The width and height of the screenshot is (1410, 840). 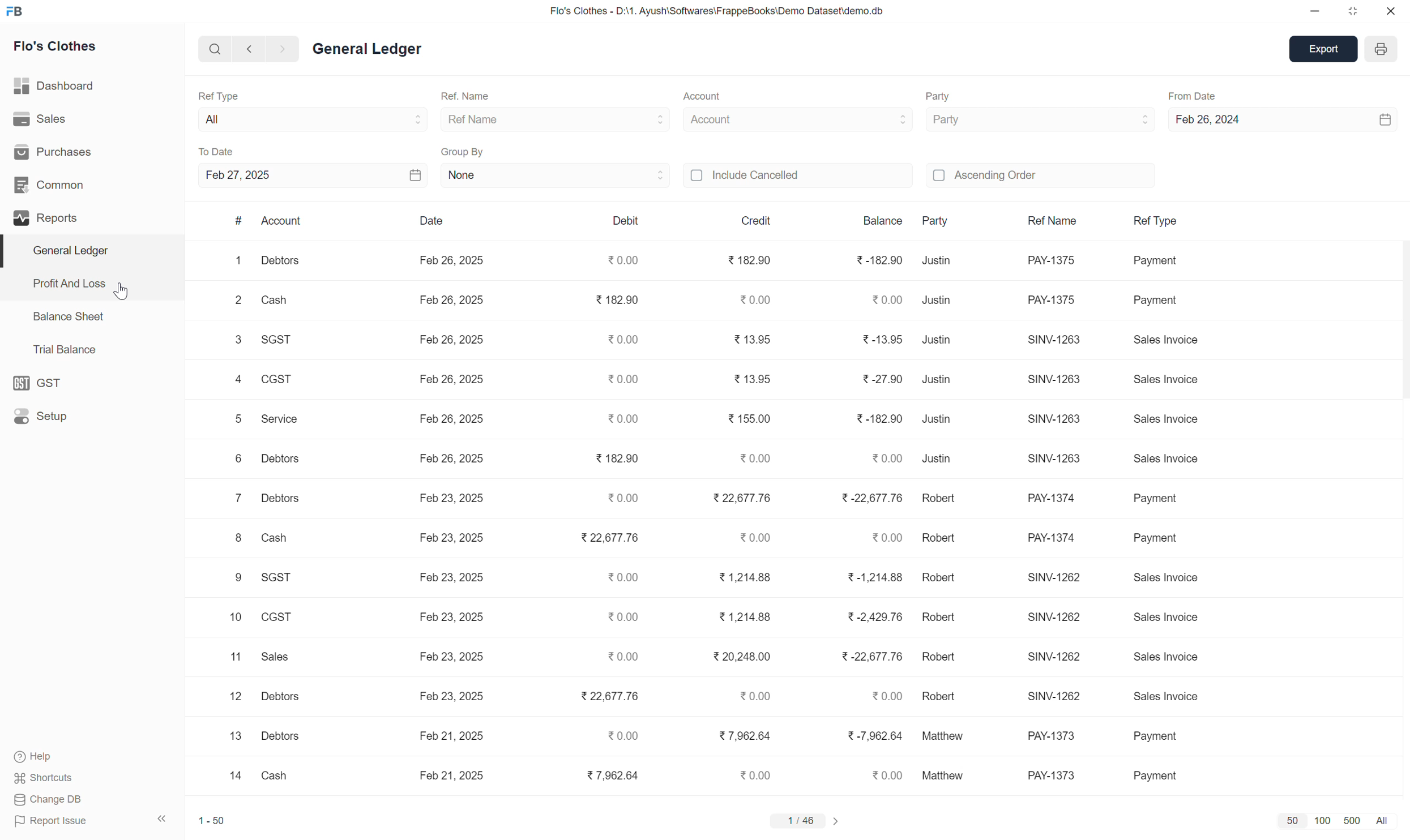 I want to click on Sales Invoice, so click(x=1172, y=616).